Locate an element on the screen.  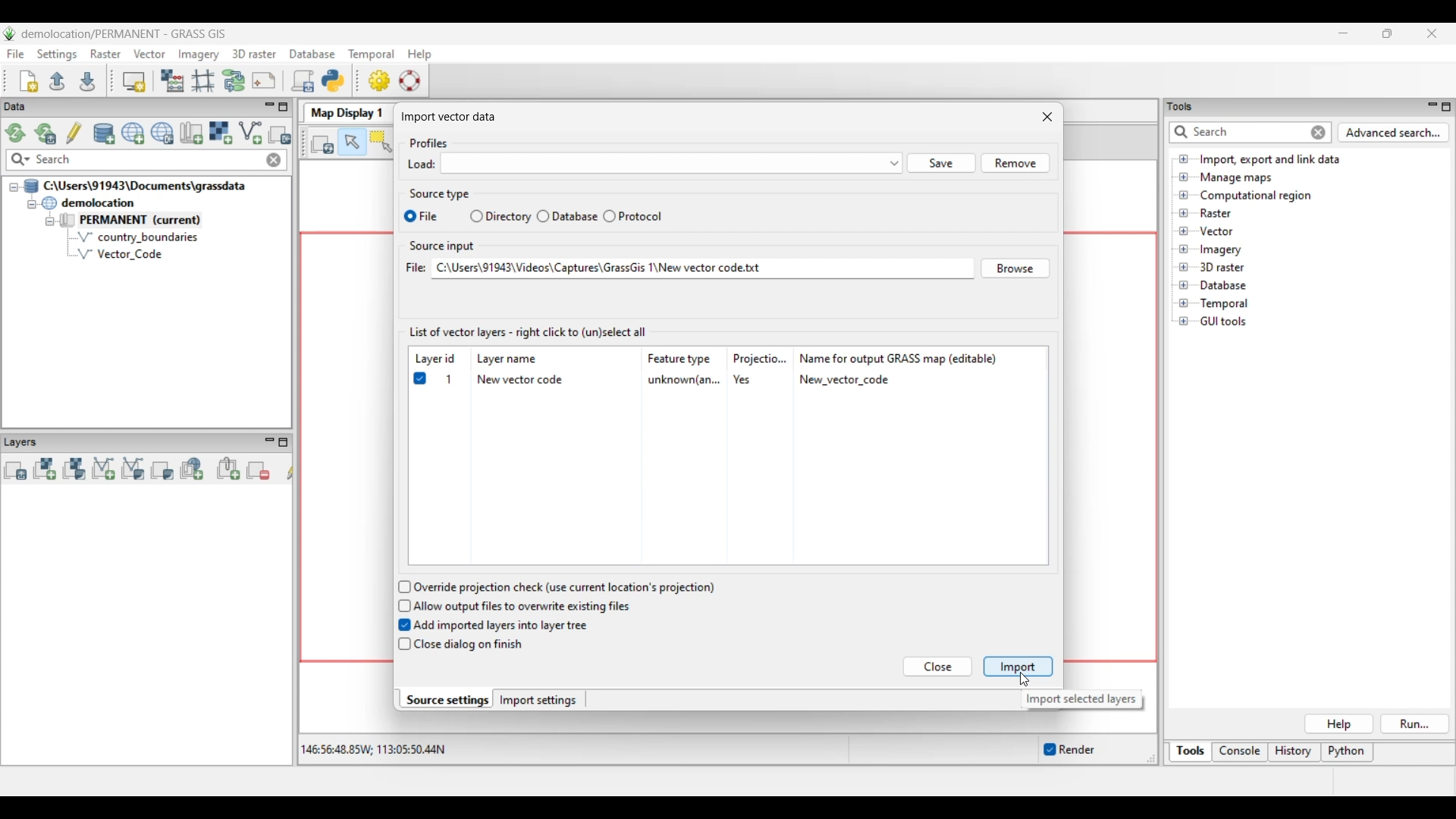
Allow output files to overwrite existing files is located at coordinates (516, 606).